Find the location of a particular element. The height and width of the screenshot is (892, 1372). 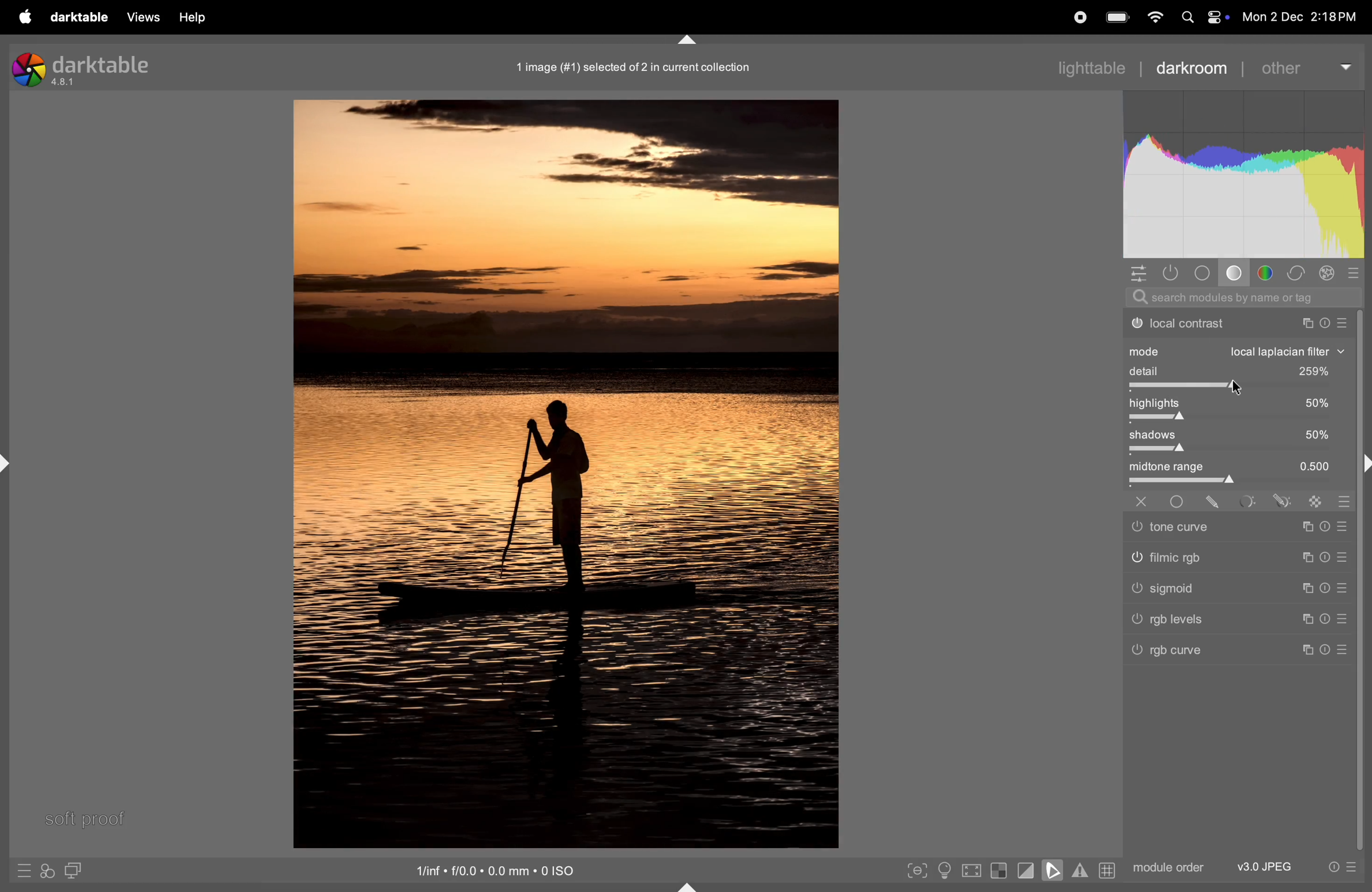

 is located at coordinates (1193, 621).